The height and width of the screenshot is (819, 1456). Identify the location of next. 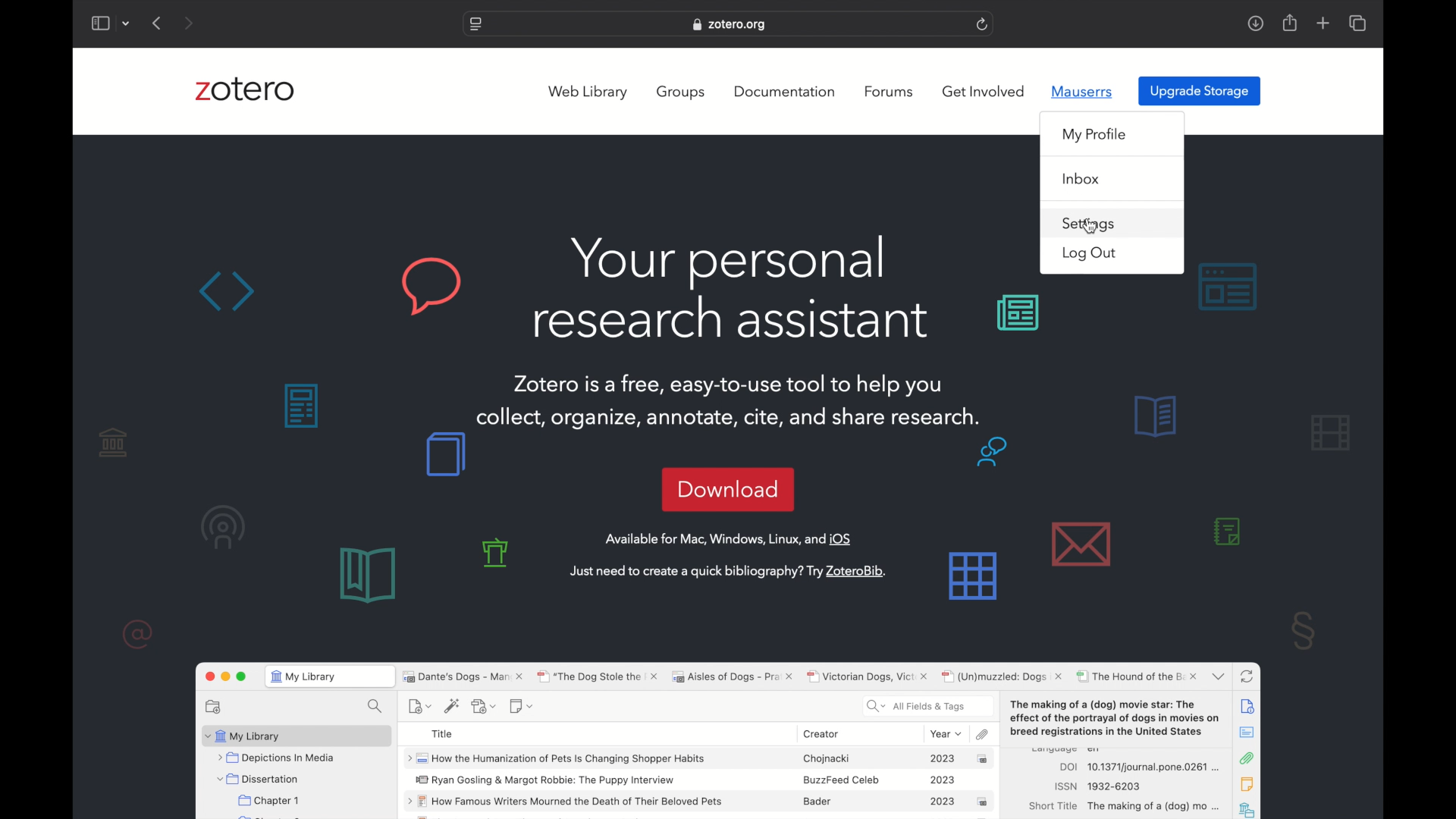
(191, 24).